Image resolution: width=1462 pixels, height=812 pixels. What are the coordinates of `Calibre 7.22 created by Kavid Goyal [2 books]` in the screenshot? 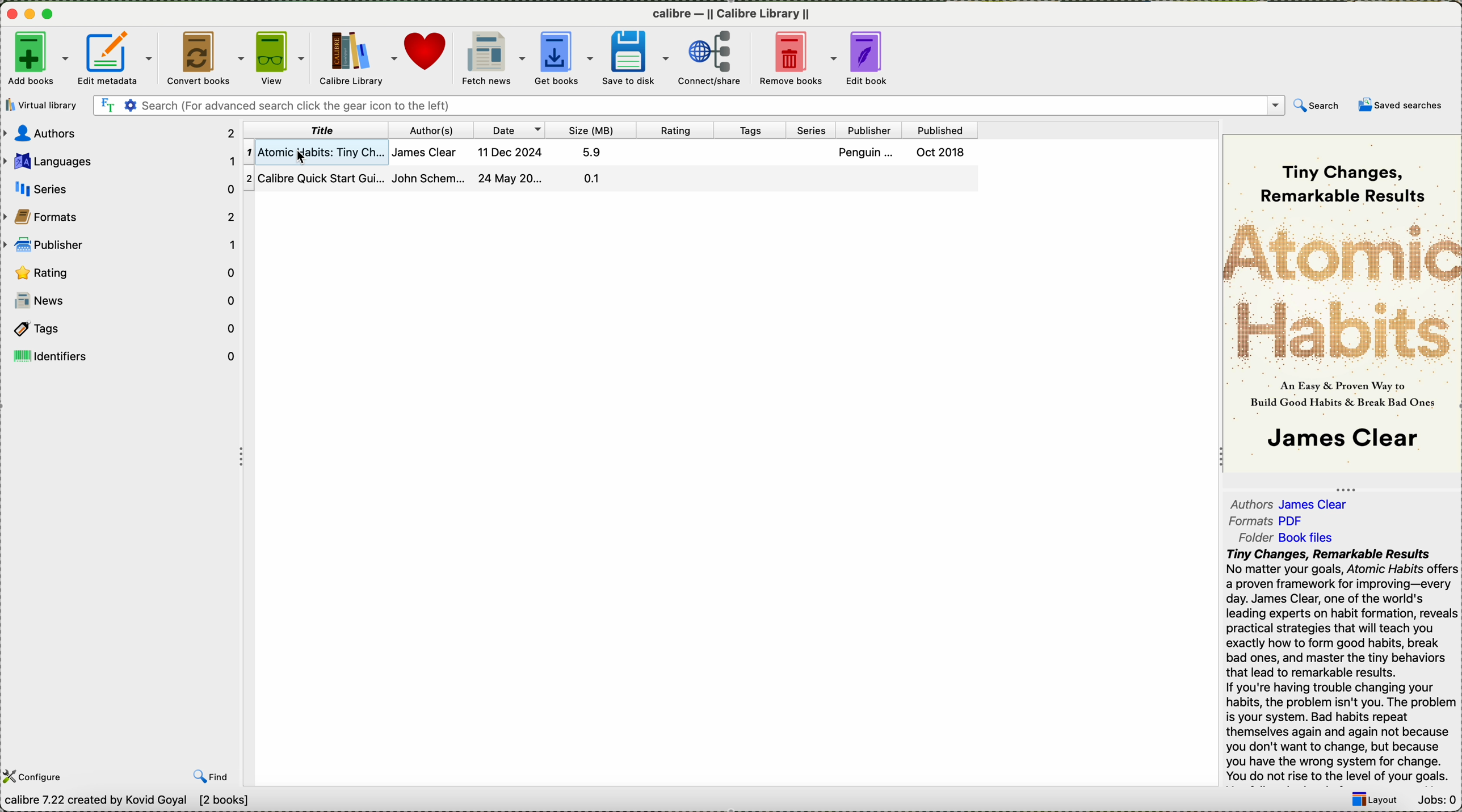 It's located at (132, 802).